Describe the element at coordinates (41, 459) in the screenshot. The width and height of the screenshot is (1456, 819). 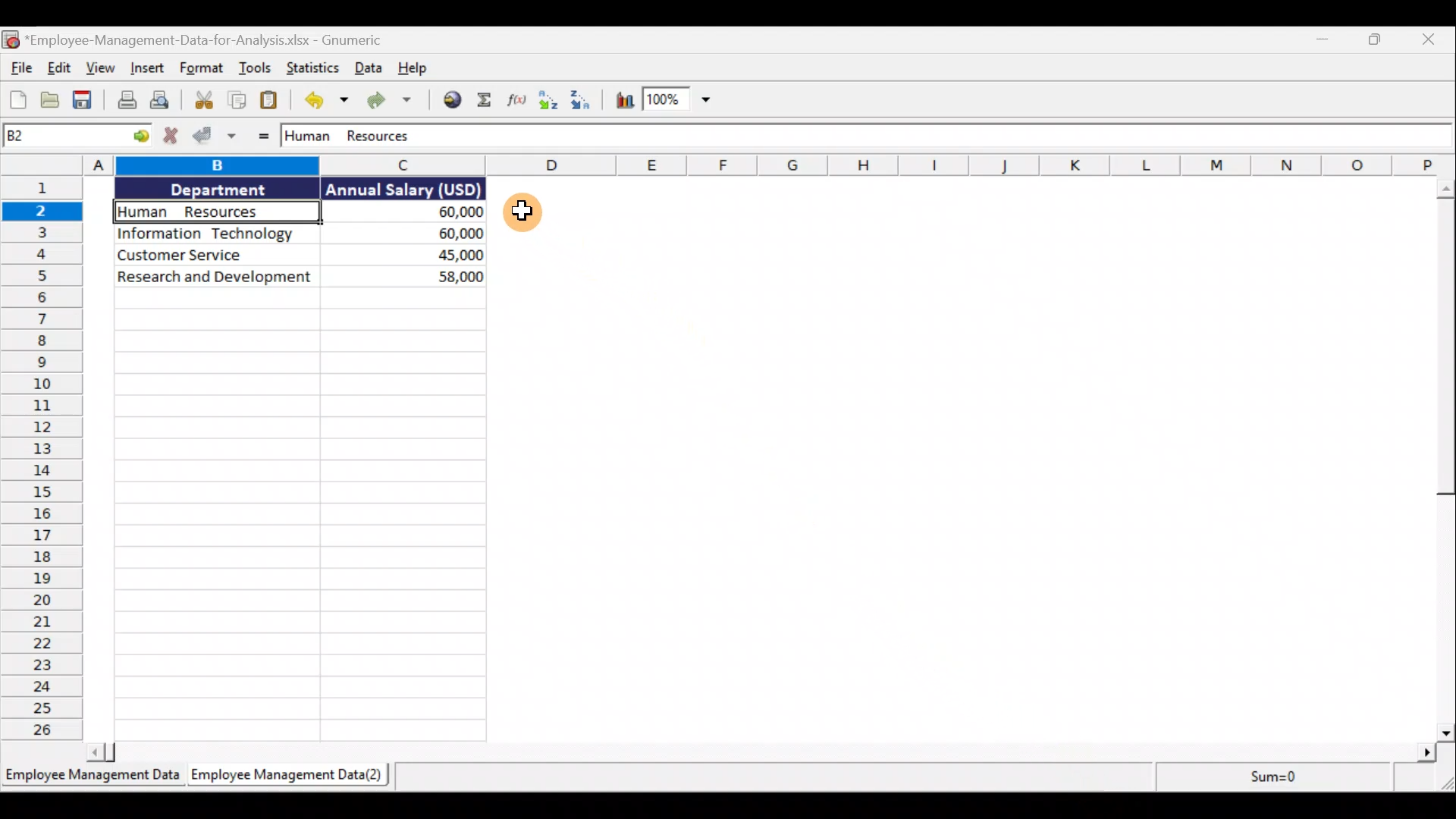
I see `Rows` at that location.